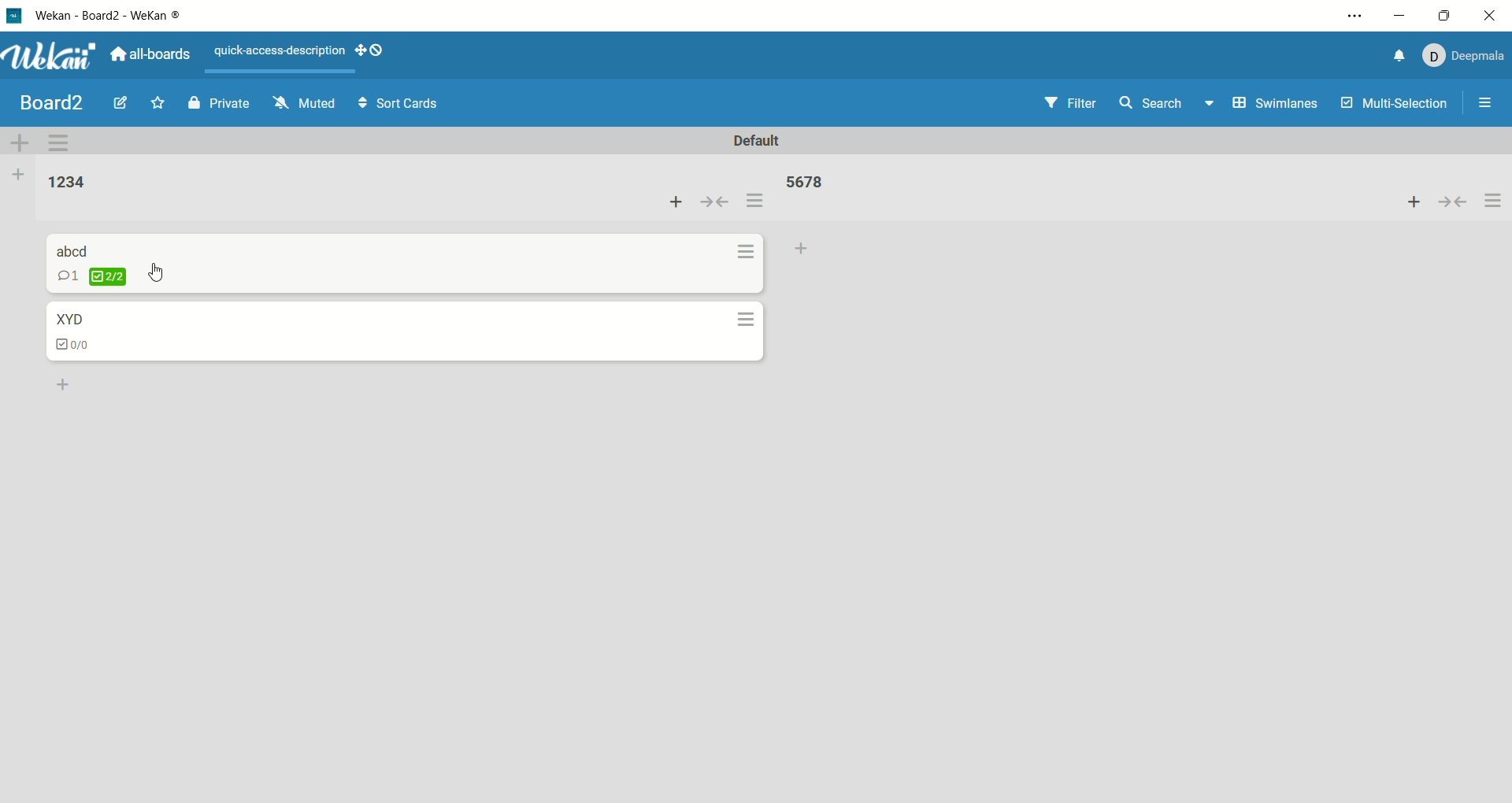 This screenshot has height=803, width=1512. I want to click on filter, so click(1076, 103).